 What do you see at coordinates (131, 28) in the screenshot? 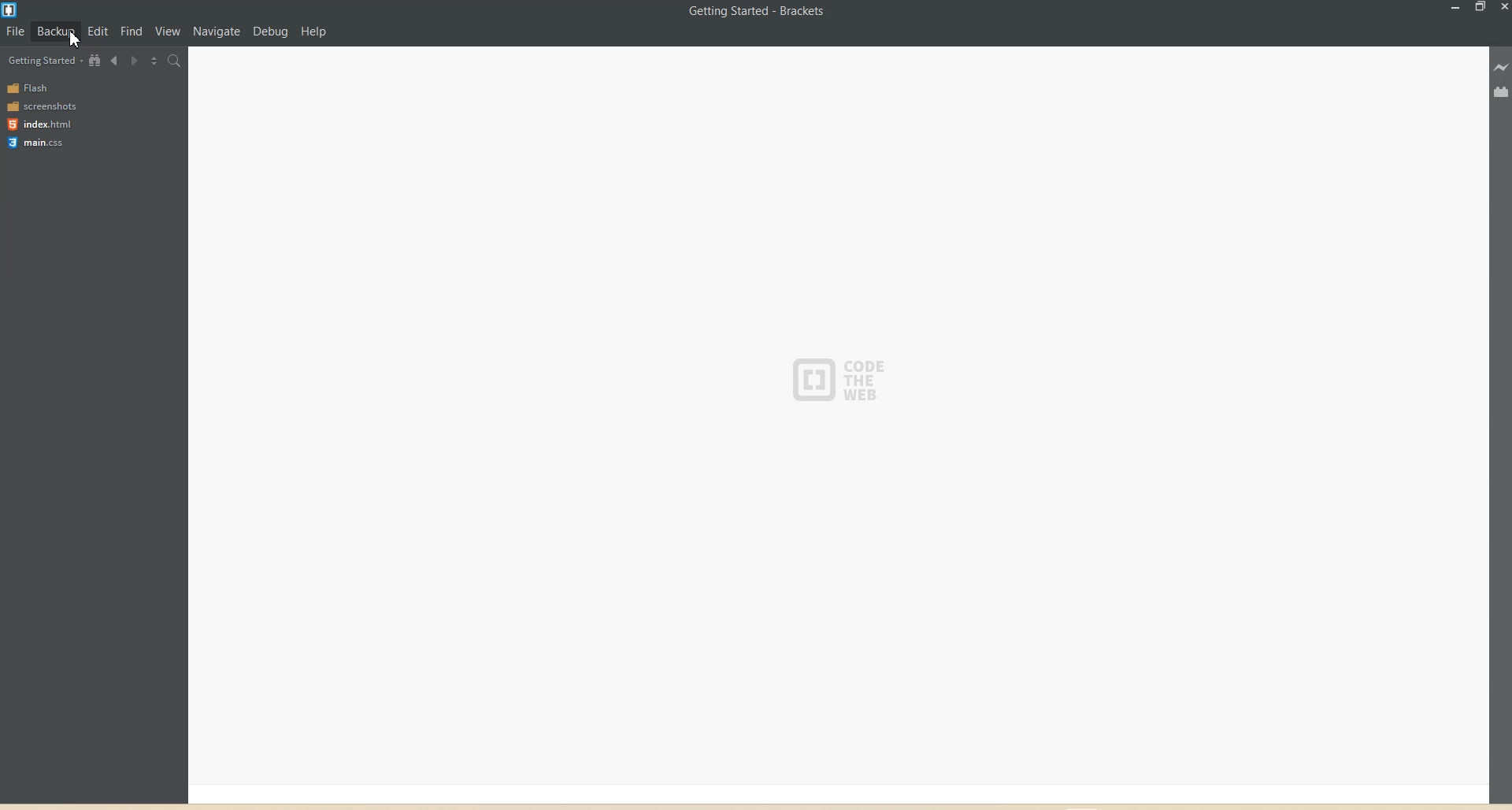
I see `Find` at bounding box center [131, 28].